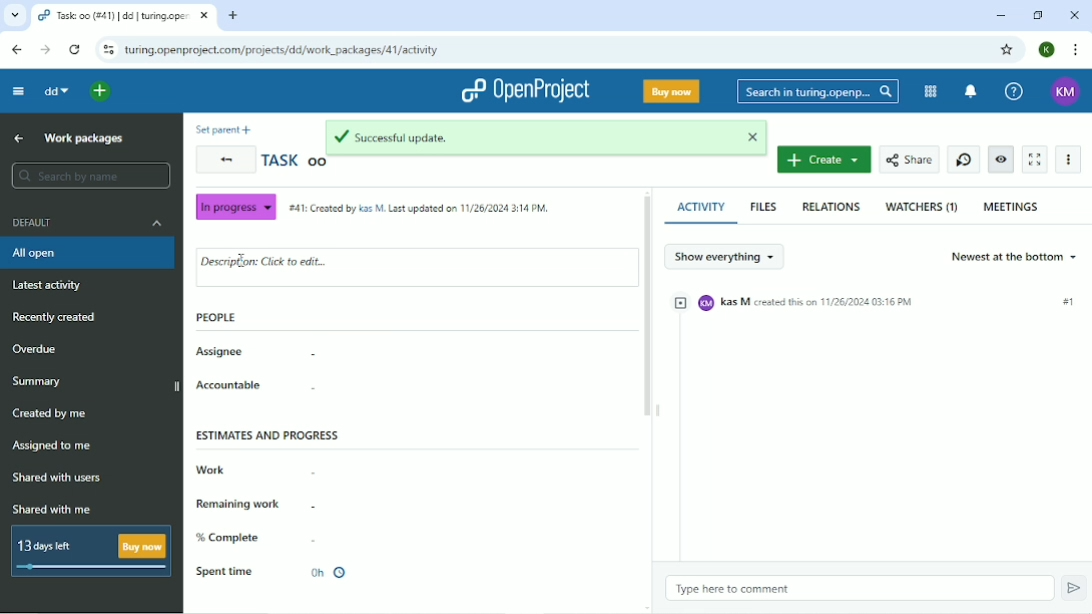  Describe the element at coordinates (93, 384) in the screenshot. I see `Summary` at that location.